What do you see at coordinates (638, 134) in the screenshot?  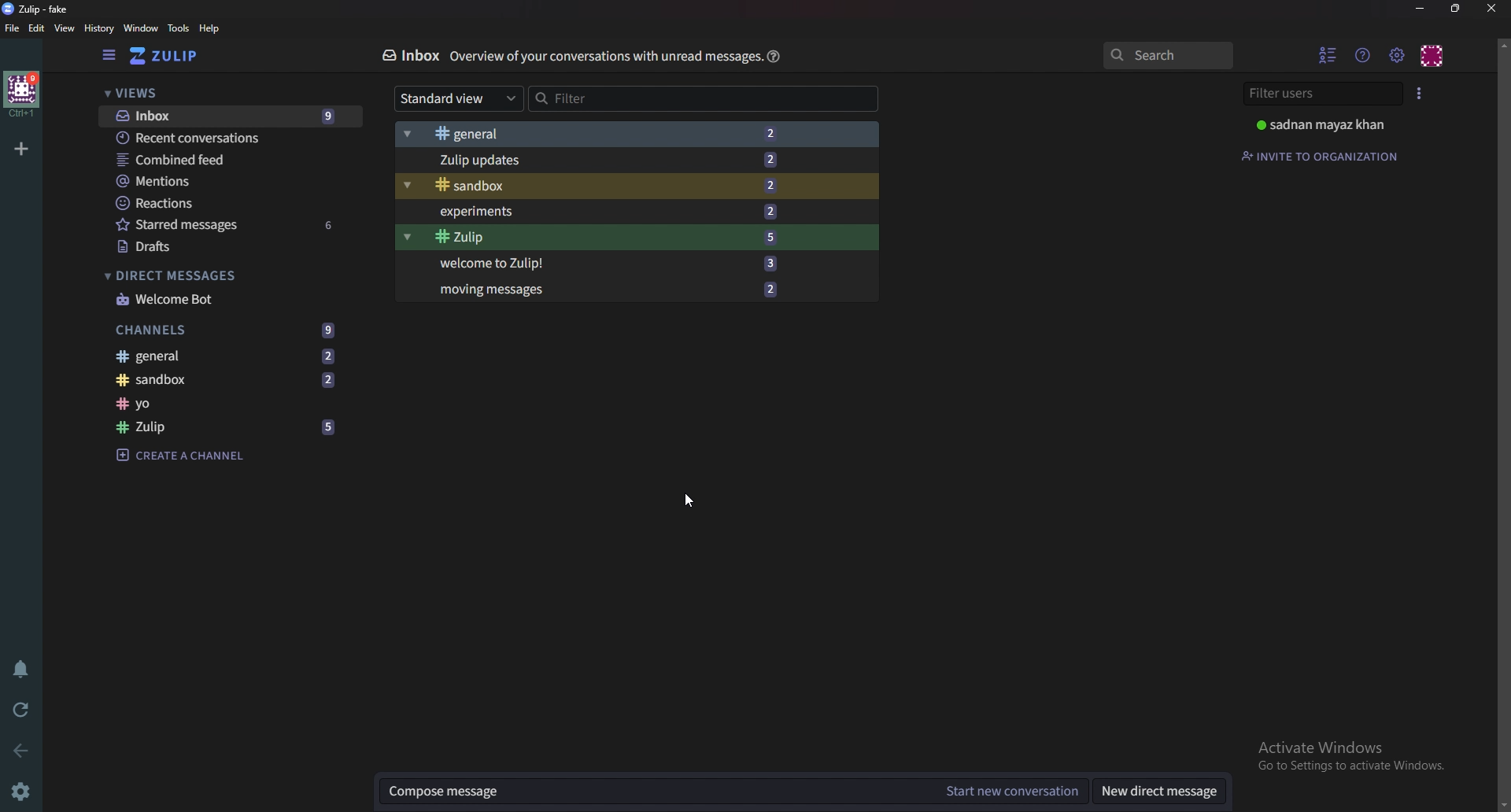 I see `General` at bounding box center [638, 134].